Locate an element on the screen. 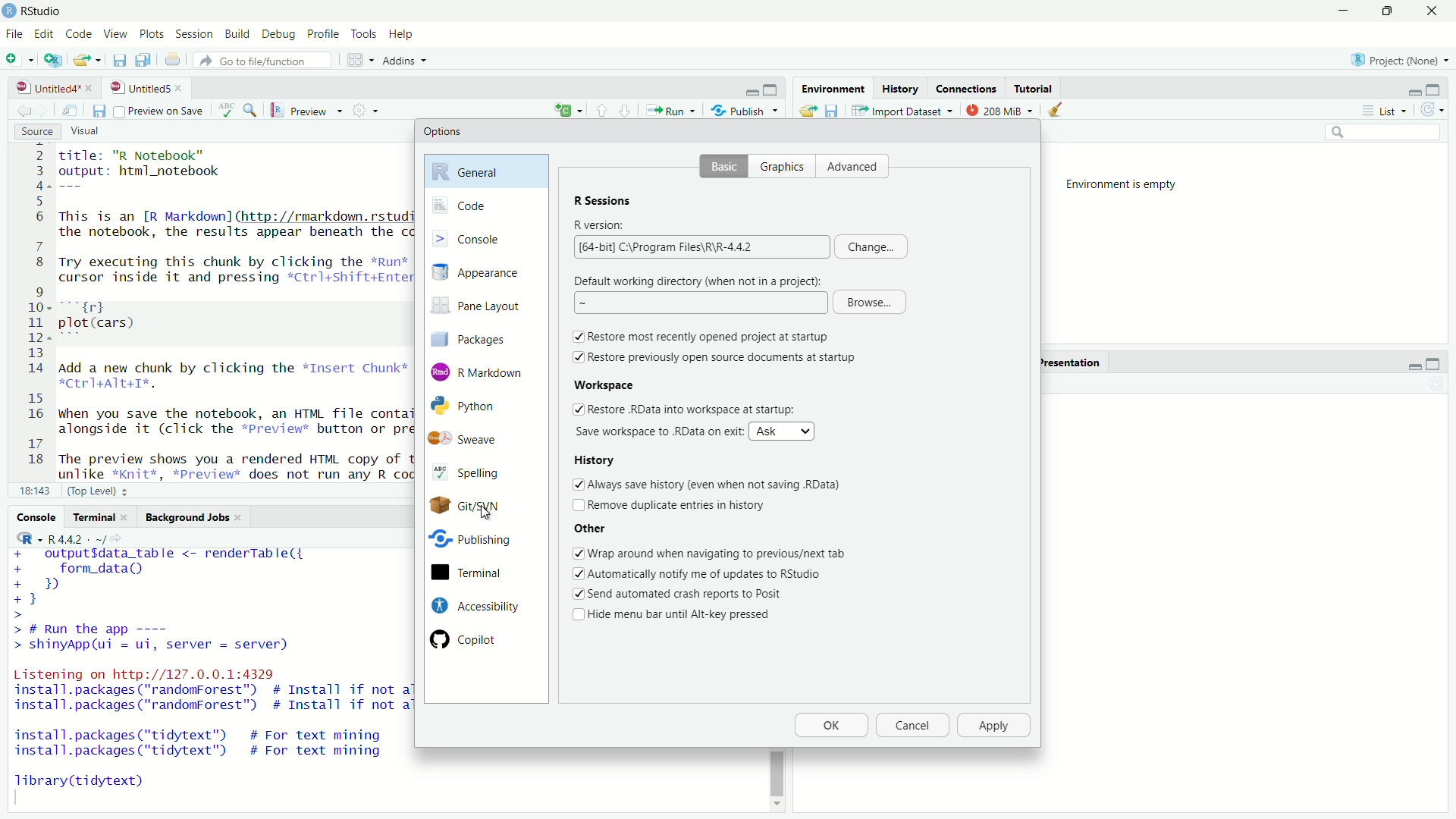  Appearance is located at coordinates (484, 273).